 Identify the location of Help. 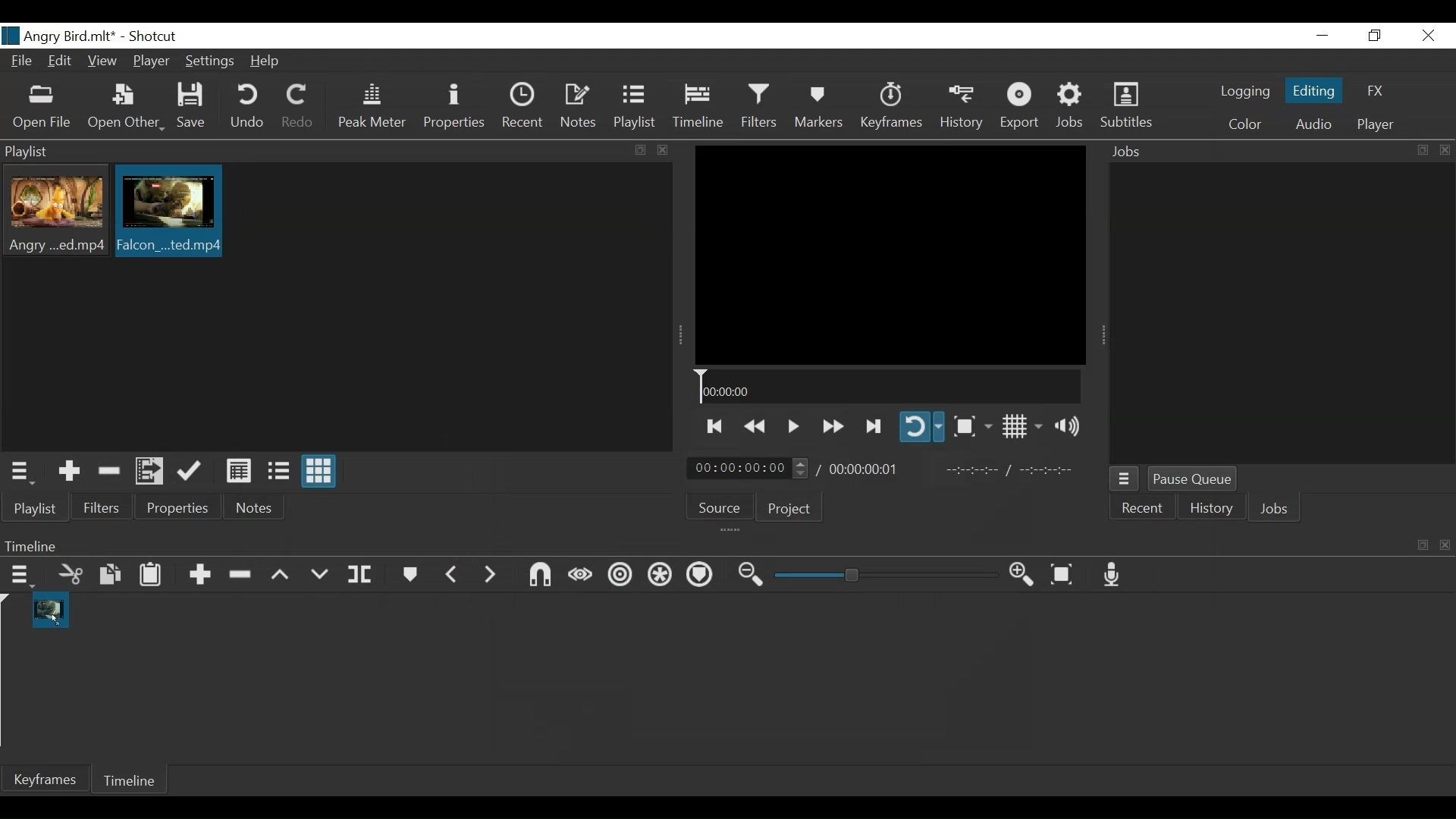
(270, 61).